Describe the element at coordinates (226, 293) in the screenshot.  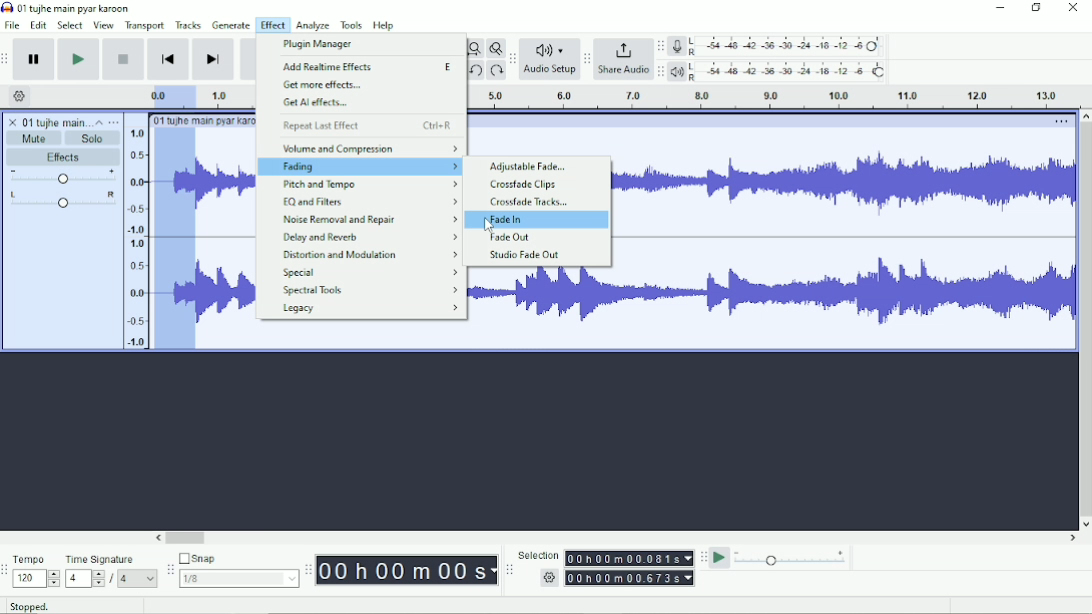
I see `Audio Waves` at that location.